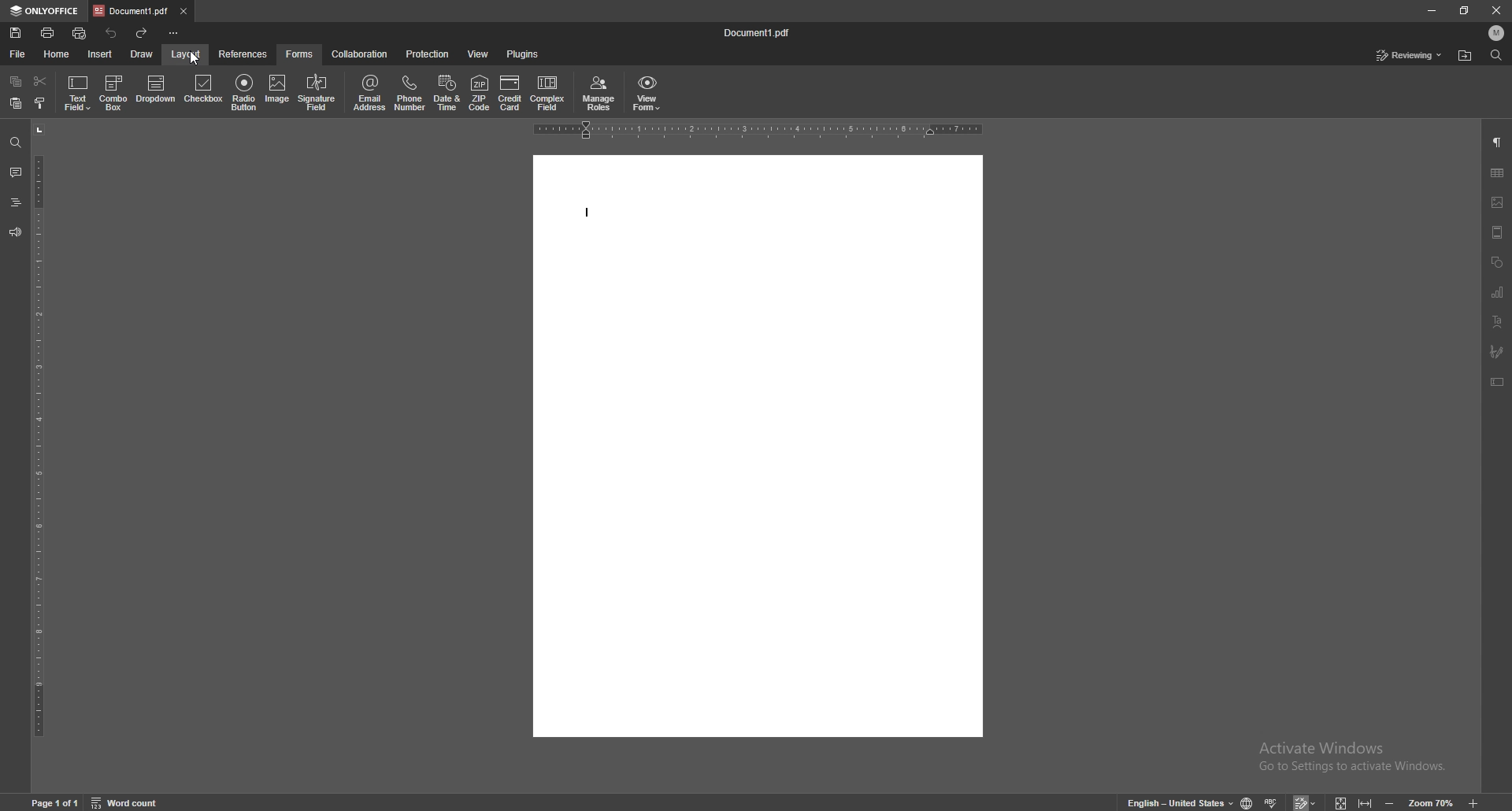 The width and height of the screenshot is (1512, 811). Describe the element at coordinates (757, 31) in the screenshot. I see `file name` at that location.